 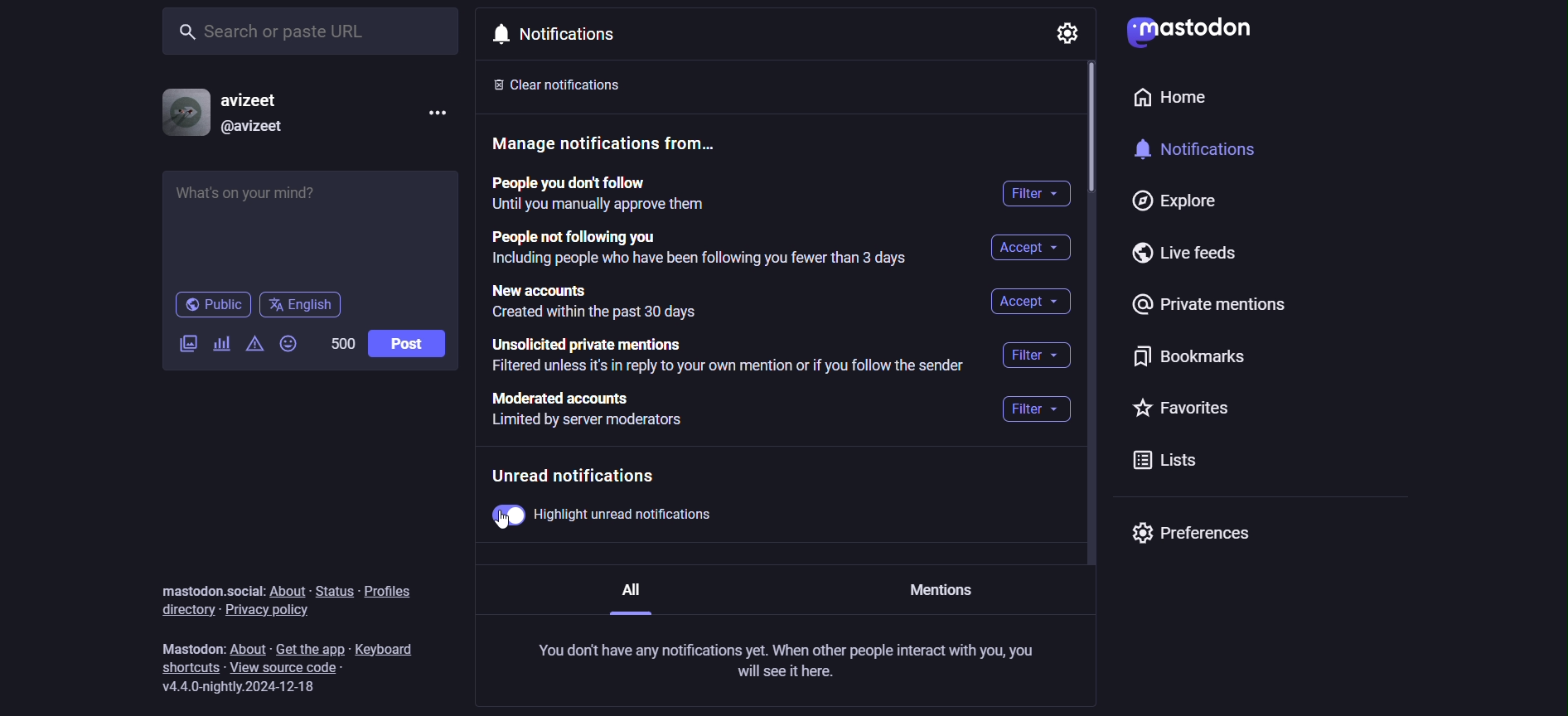 What do you see at coordinates (186, 669) in the screenshot?
I see `shortcuts` at bounding box center [186, 669].